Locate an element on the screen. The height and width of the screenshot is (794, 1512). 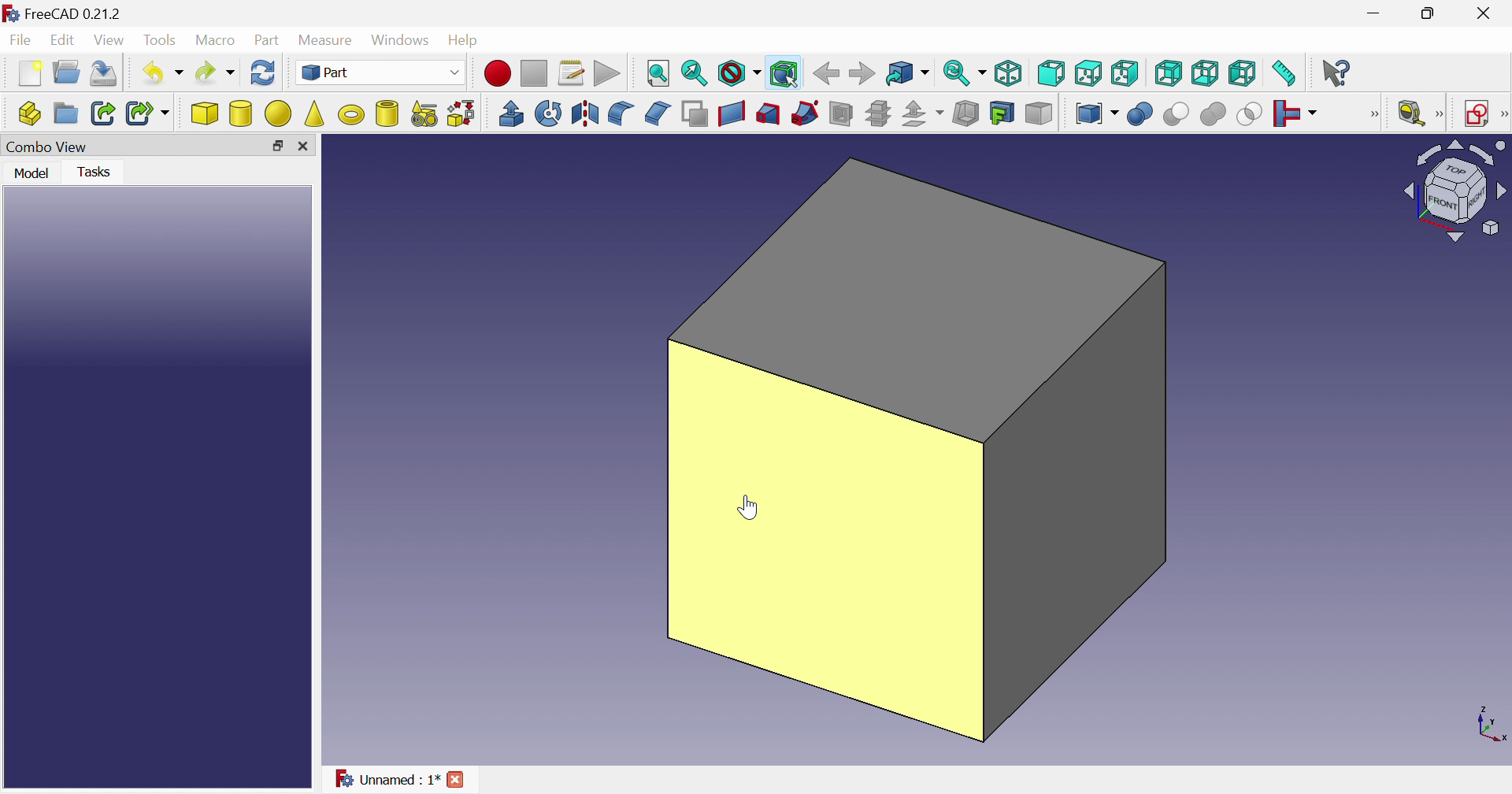
Isometric is located at coordinates (1011, 72).